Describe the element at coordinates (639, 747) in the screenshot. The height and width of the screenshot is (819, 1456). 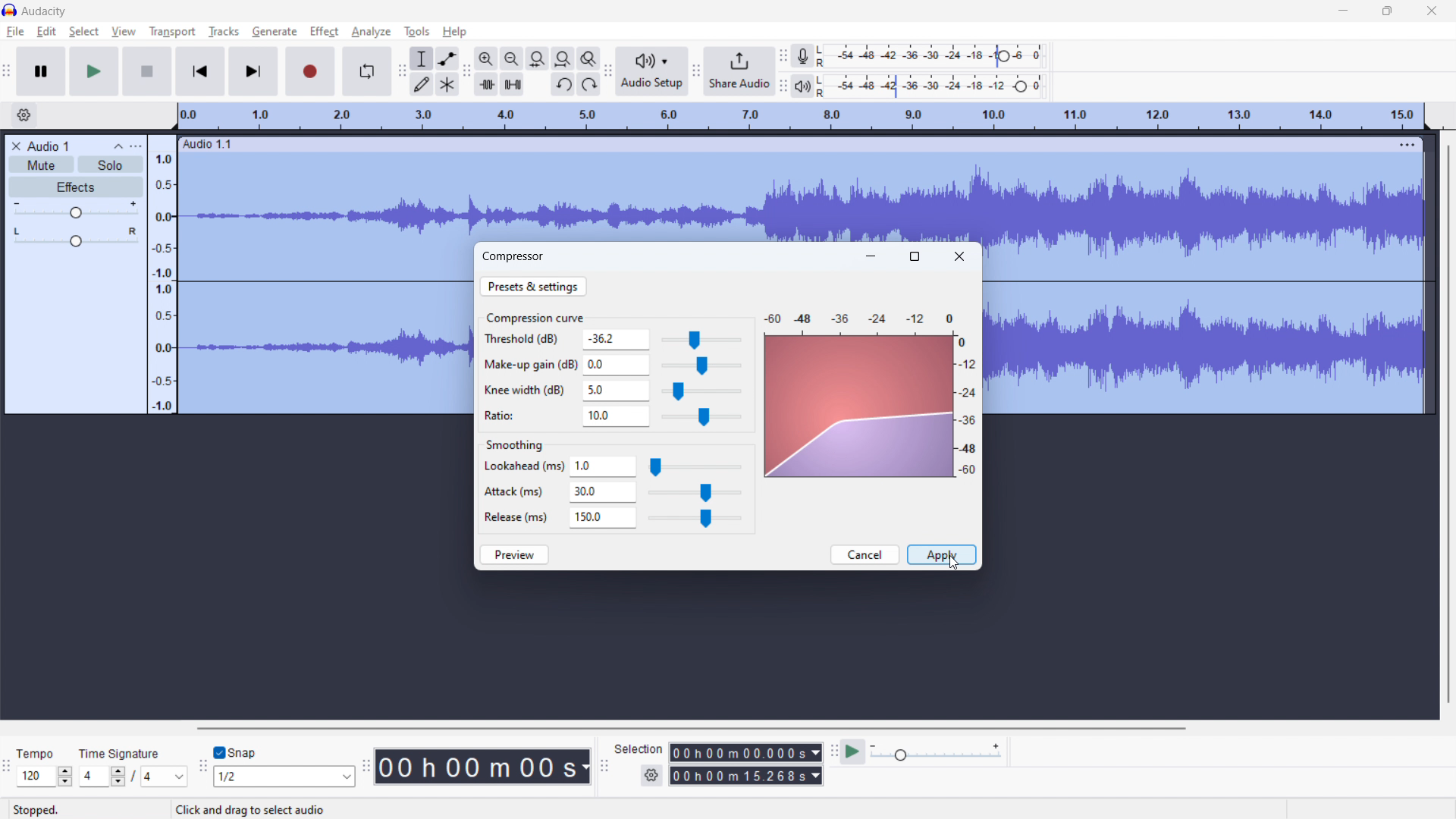
I see `Selection` at that location.